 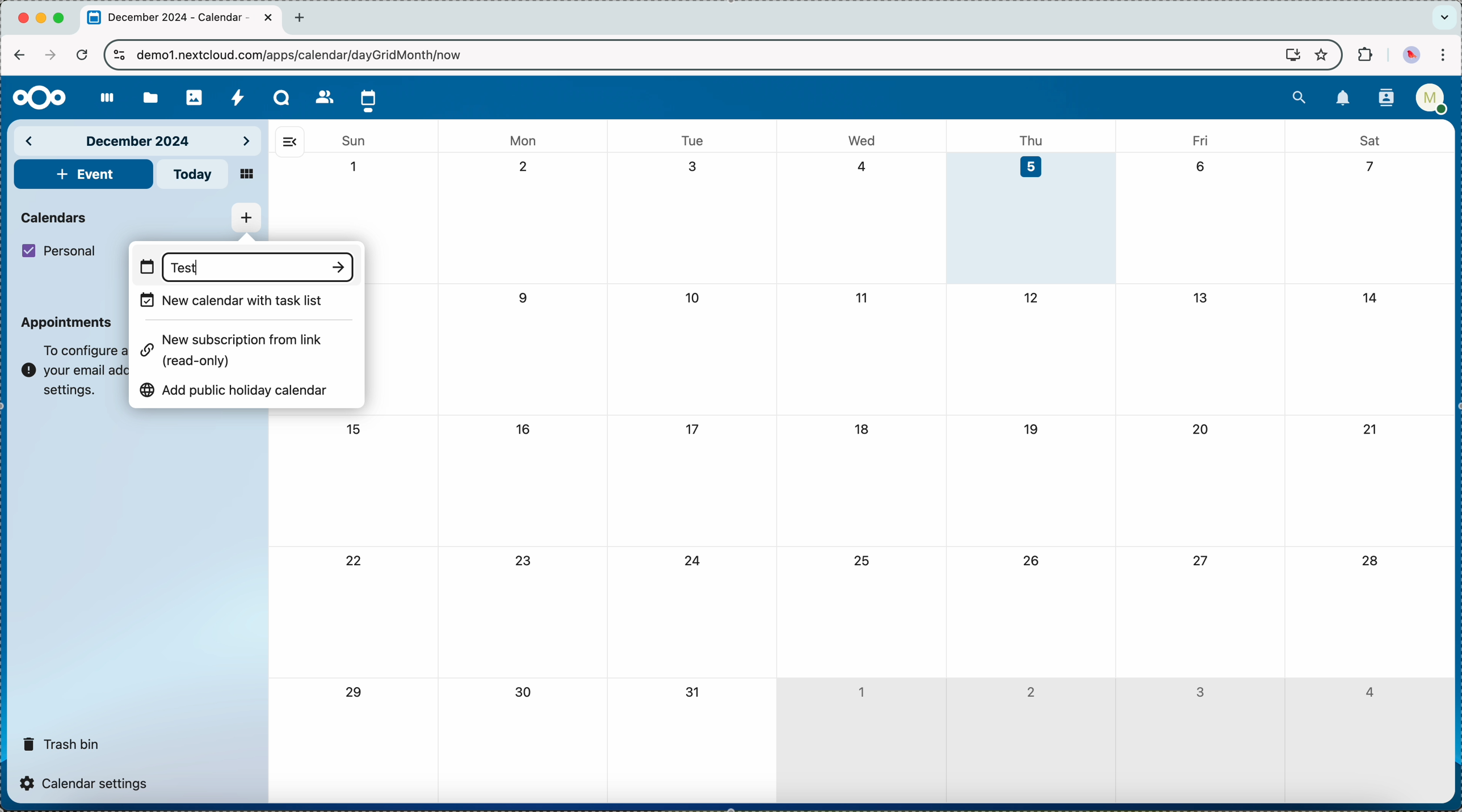 I want to click on 29, so click(x=352, y=693).